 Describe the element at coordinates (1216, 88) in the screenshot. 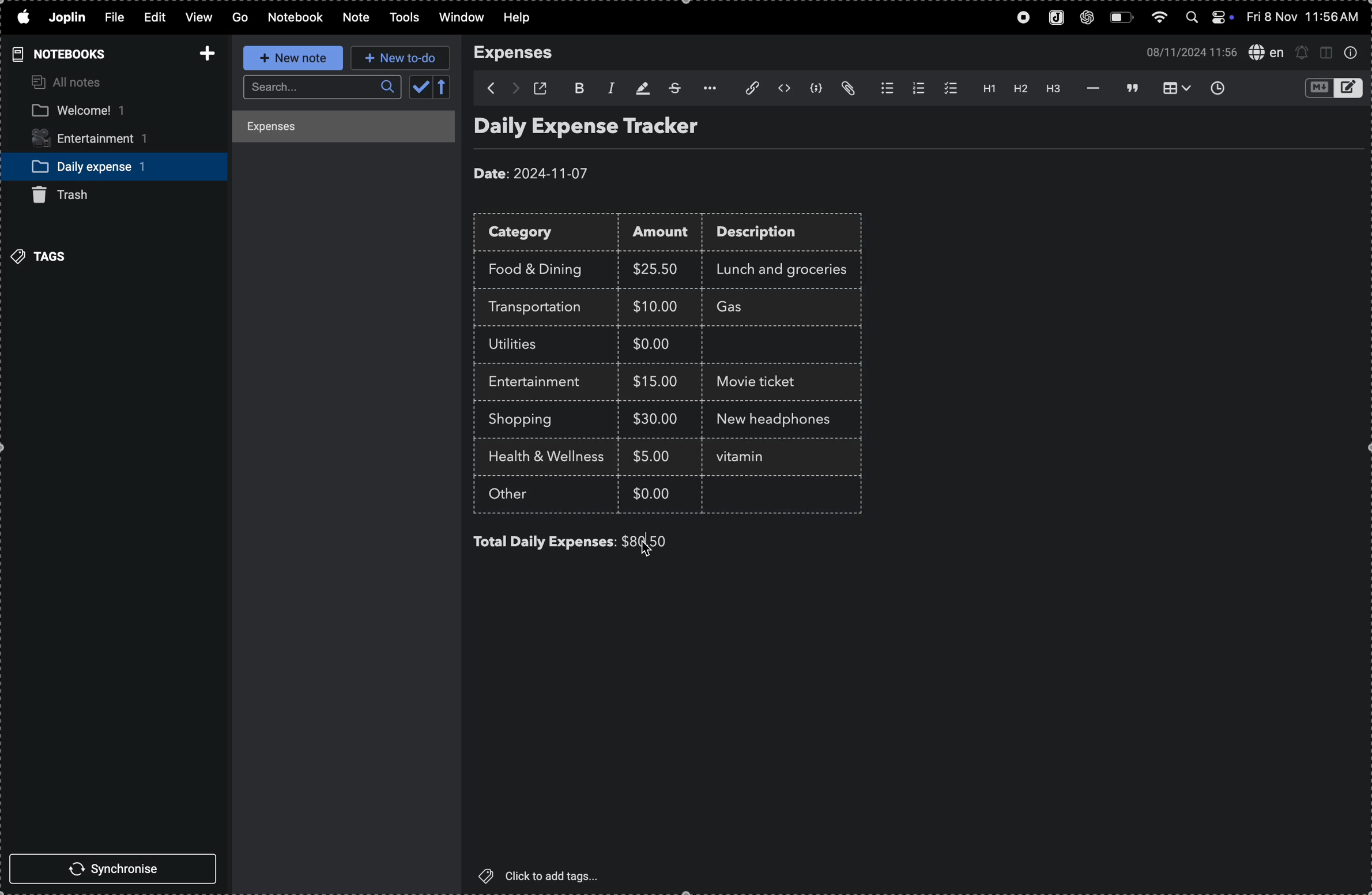

I see `insert time` at that location.